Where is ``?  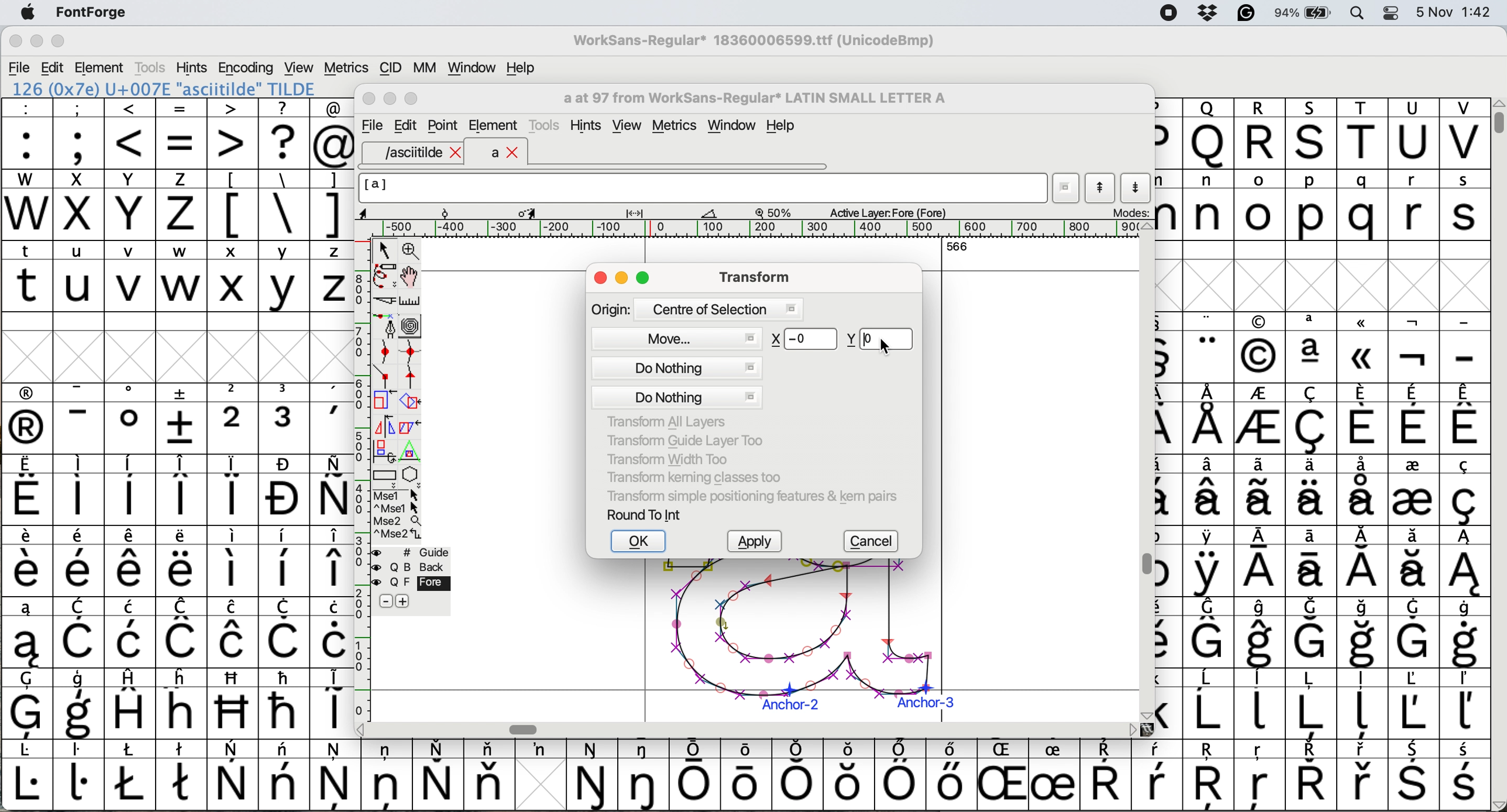  is located at coordinates (805, 339).